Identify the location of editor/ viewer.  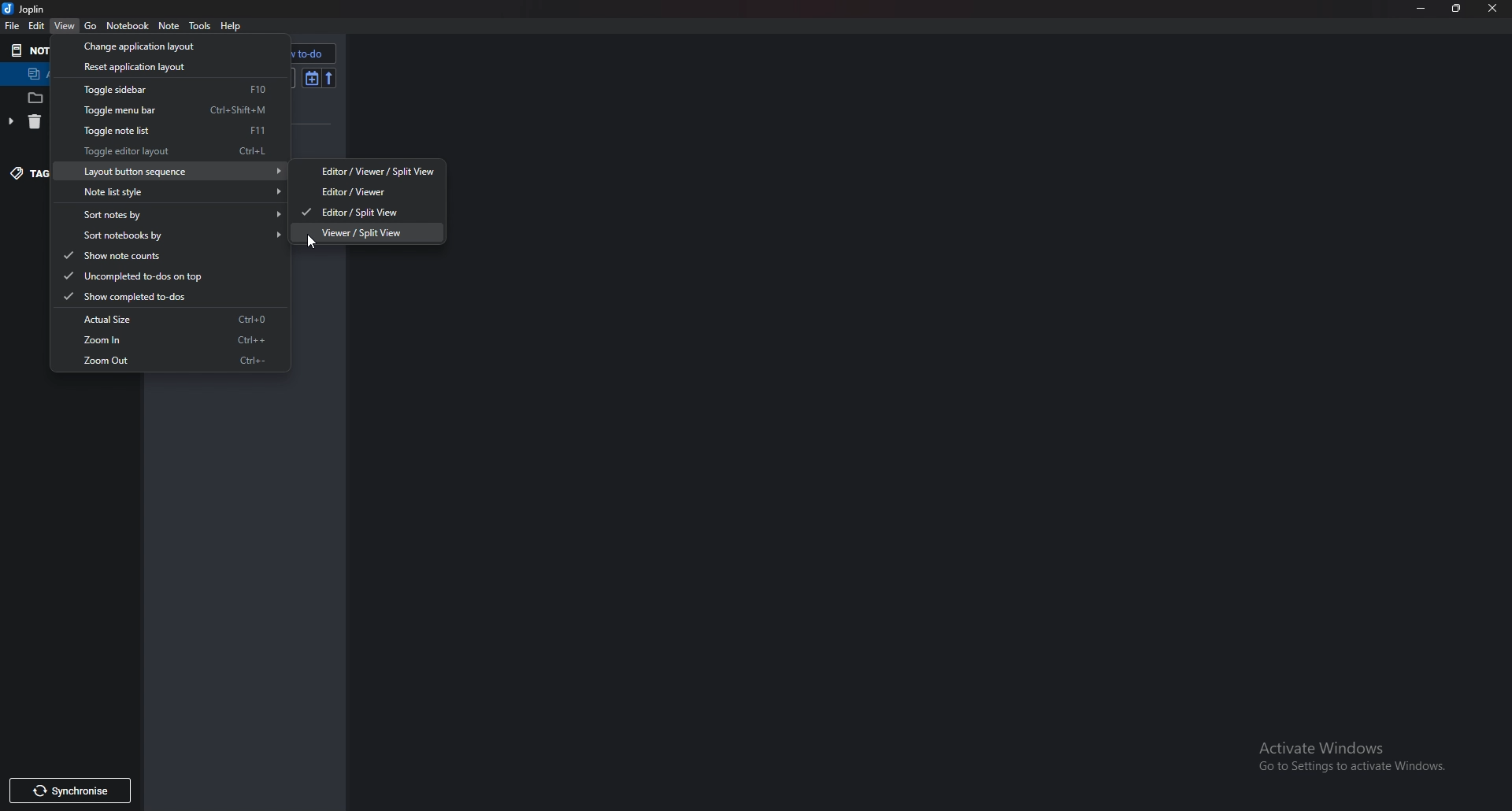
(369, 191).